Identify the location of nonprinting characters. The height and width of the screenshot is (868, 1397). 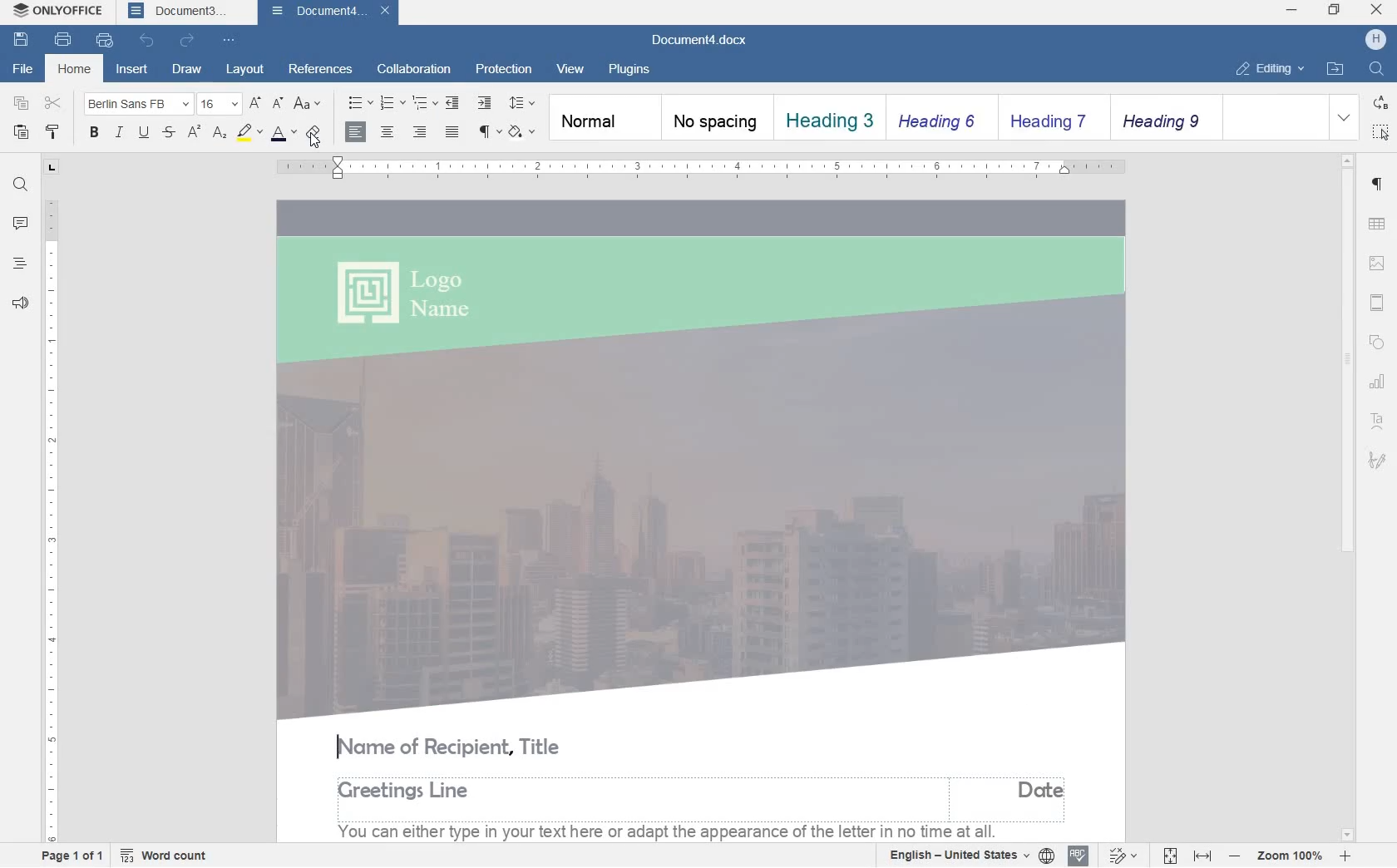
(489, 133).